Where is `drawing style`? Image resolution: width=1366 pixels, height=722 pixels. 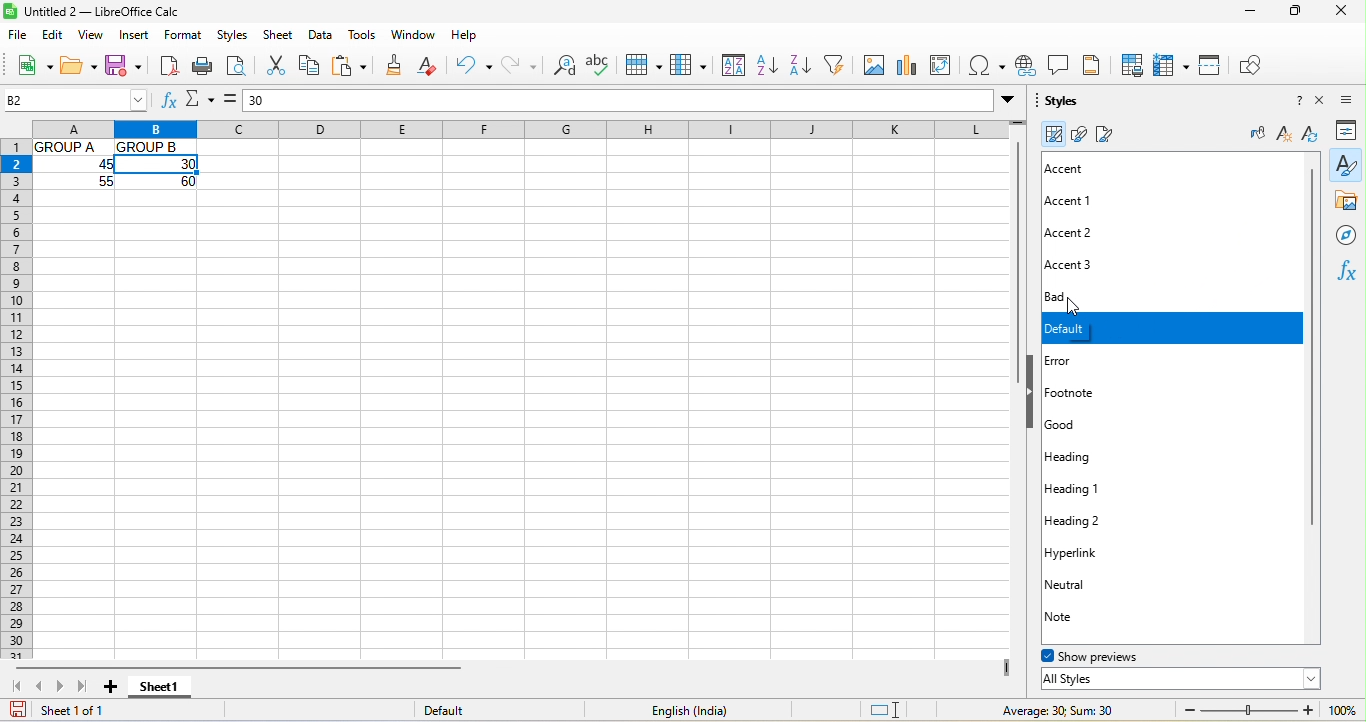 drawing style is located at coordinates (1078, 134).